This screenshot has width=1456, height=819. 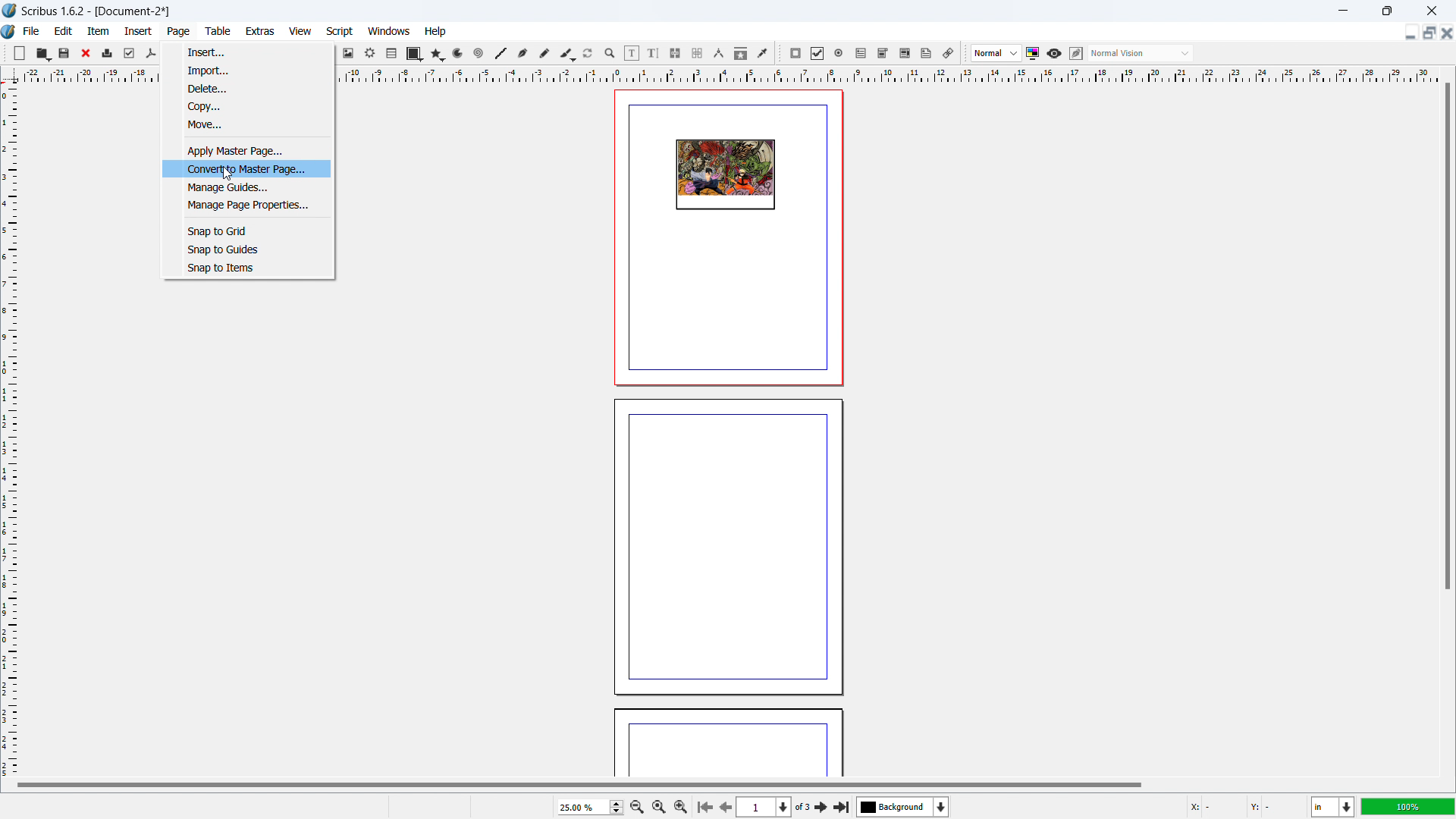 I want to click on next page, so click(x=723, y=805).